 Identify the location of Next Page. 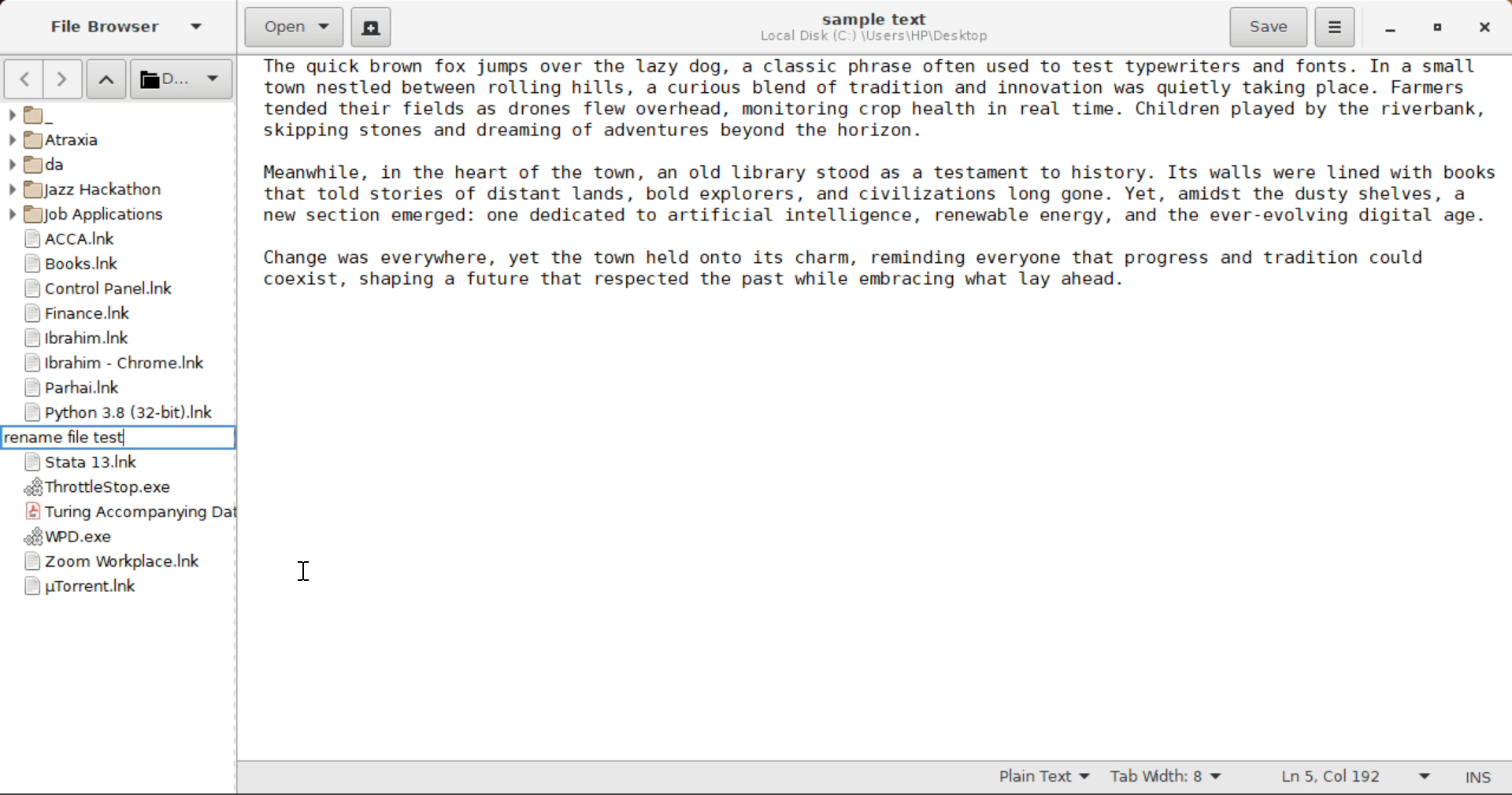
(65, 79).